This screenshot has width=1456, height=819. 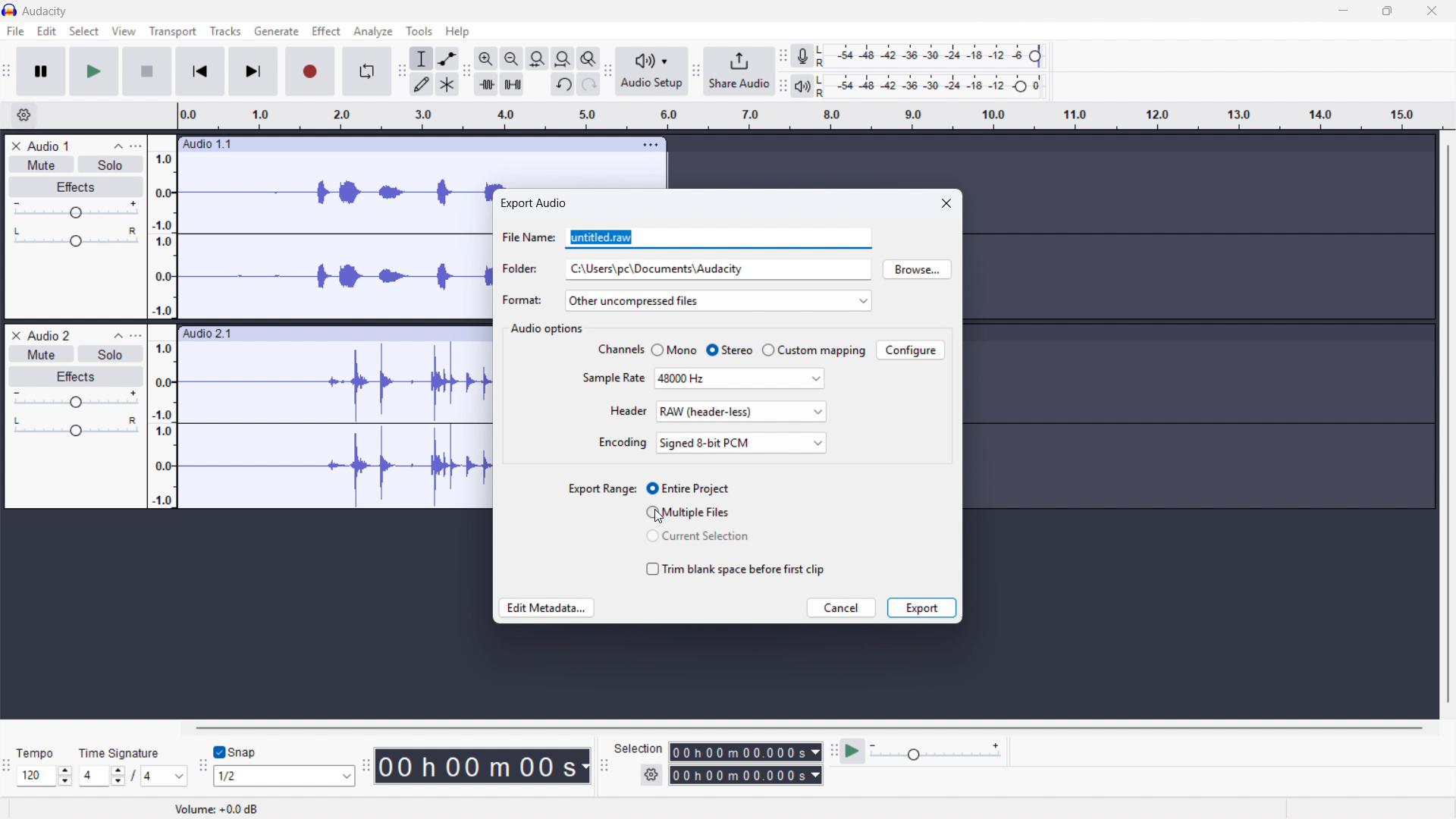 What do you see at coordinates (136, 146) in the screenshot?
I see `Track control panel menu` at bounding box center [136, 146].